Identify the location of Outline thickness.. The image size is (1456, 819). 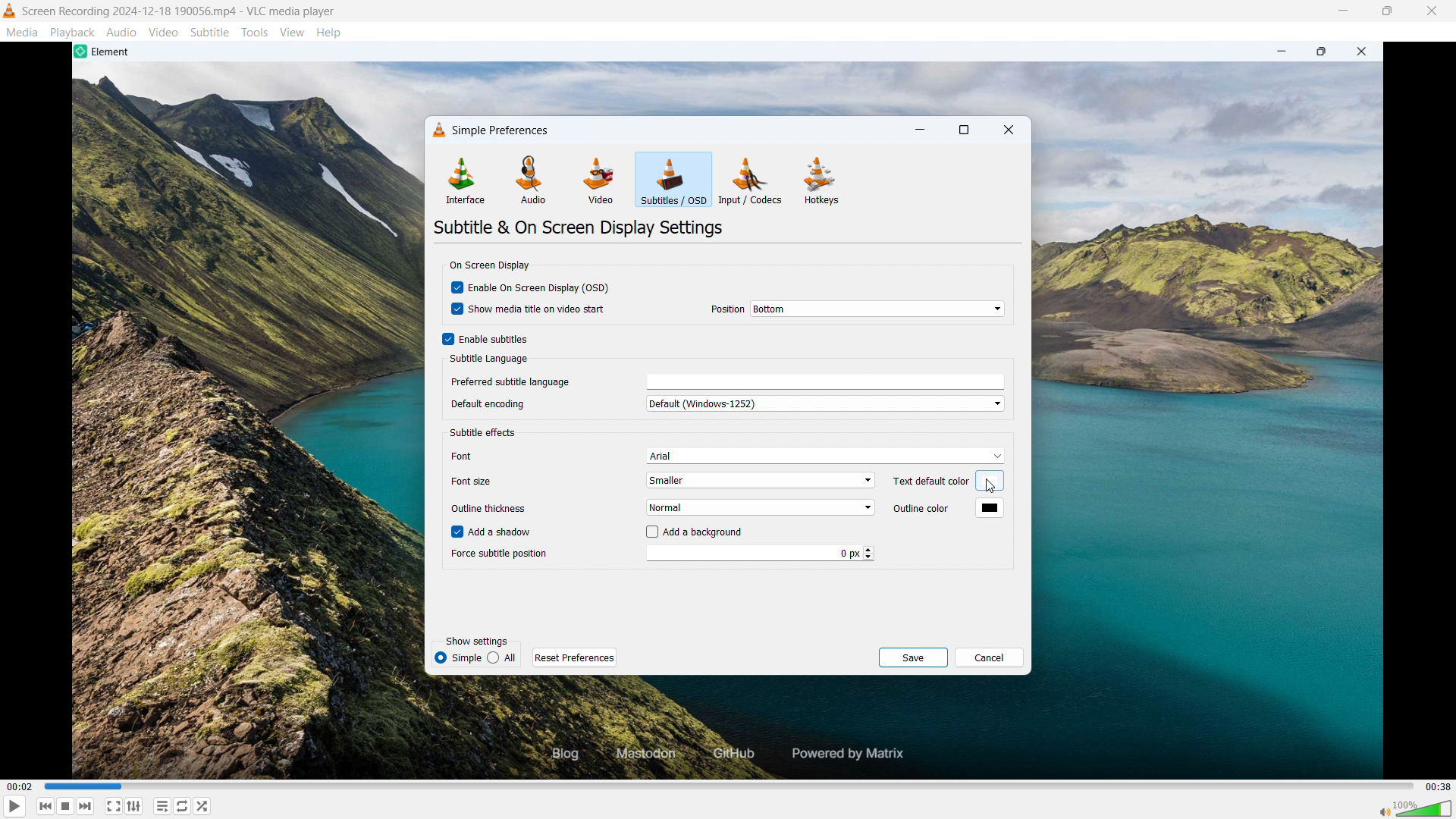
(489, 509).